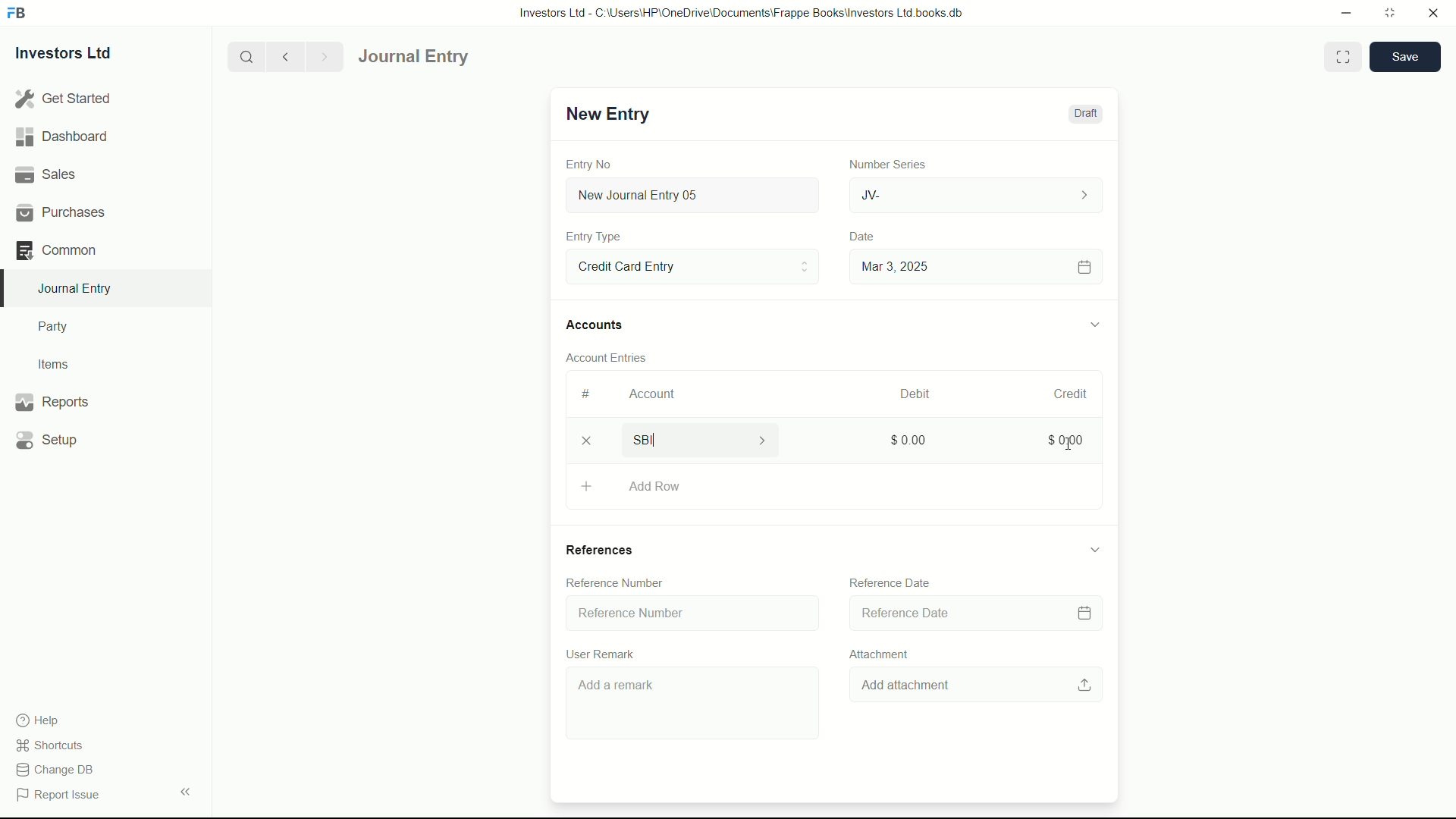  What do you see at coordinates (864, 237) in the screenshot?
I see `Date` at bounding box center [864, 237].